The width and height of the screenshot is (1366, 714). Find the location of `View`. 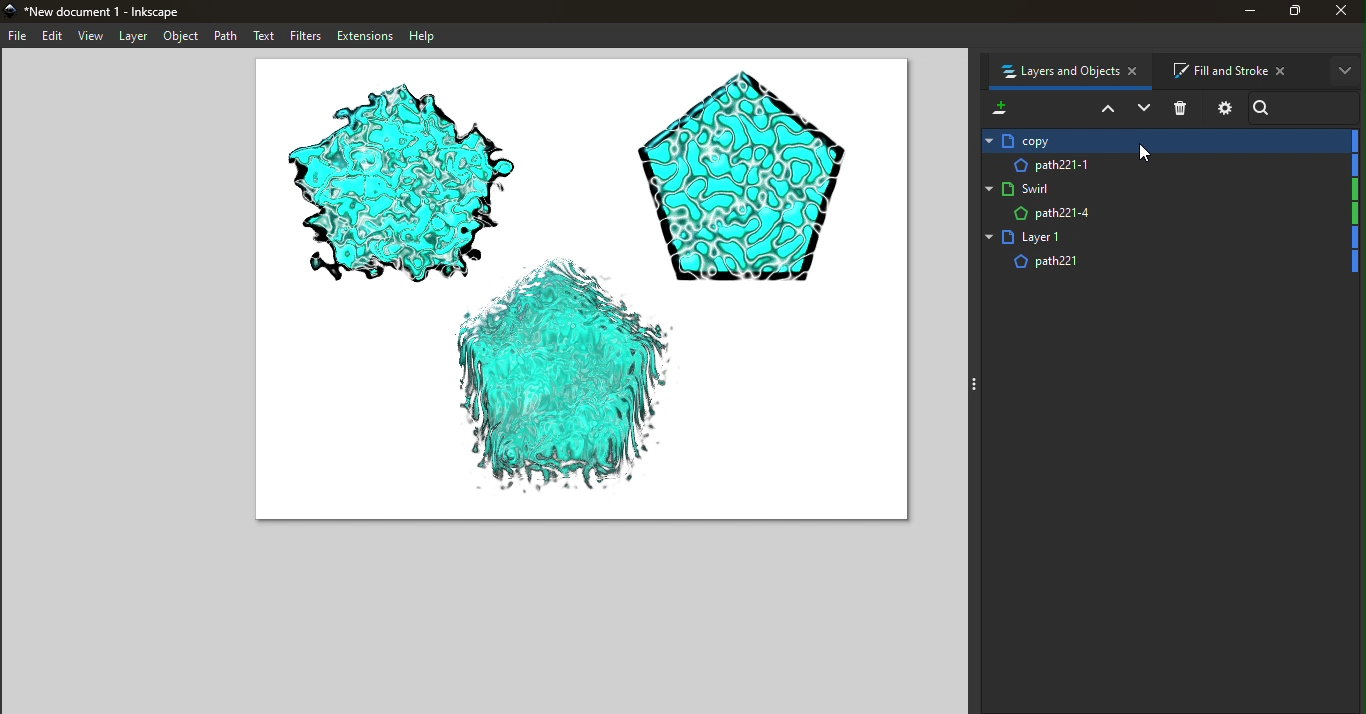

View is located at coordinates (91, 37).